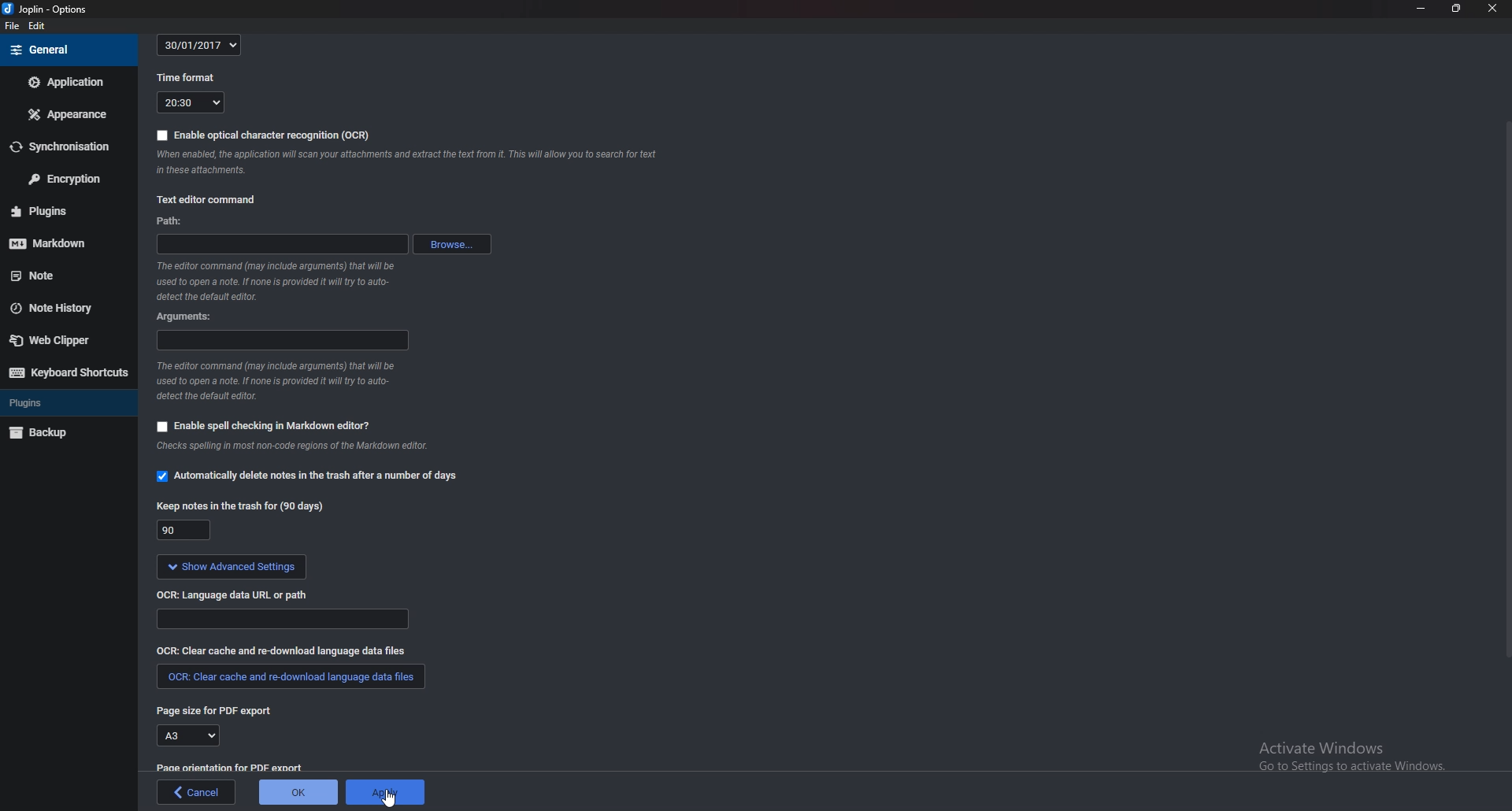 Image resolution: width=1512 pixels, height=811 pixels. I want to click on A3, so click(193, 737).